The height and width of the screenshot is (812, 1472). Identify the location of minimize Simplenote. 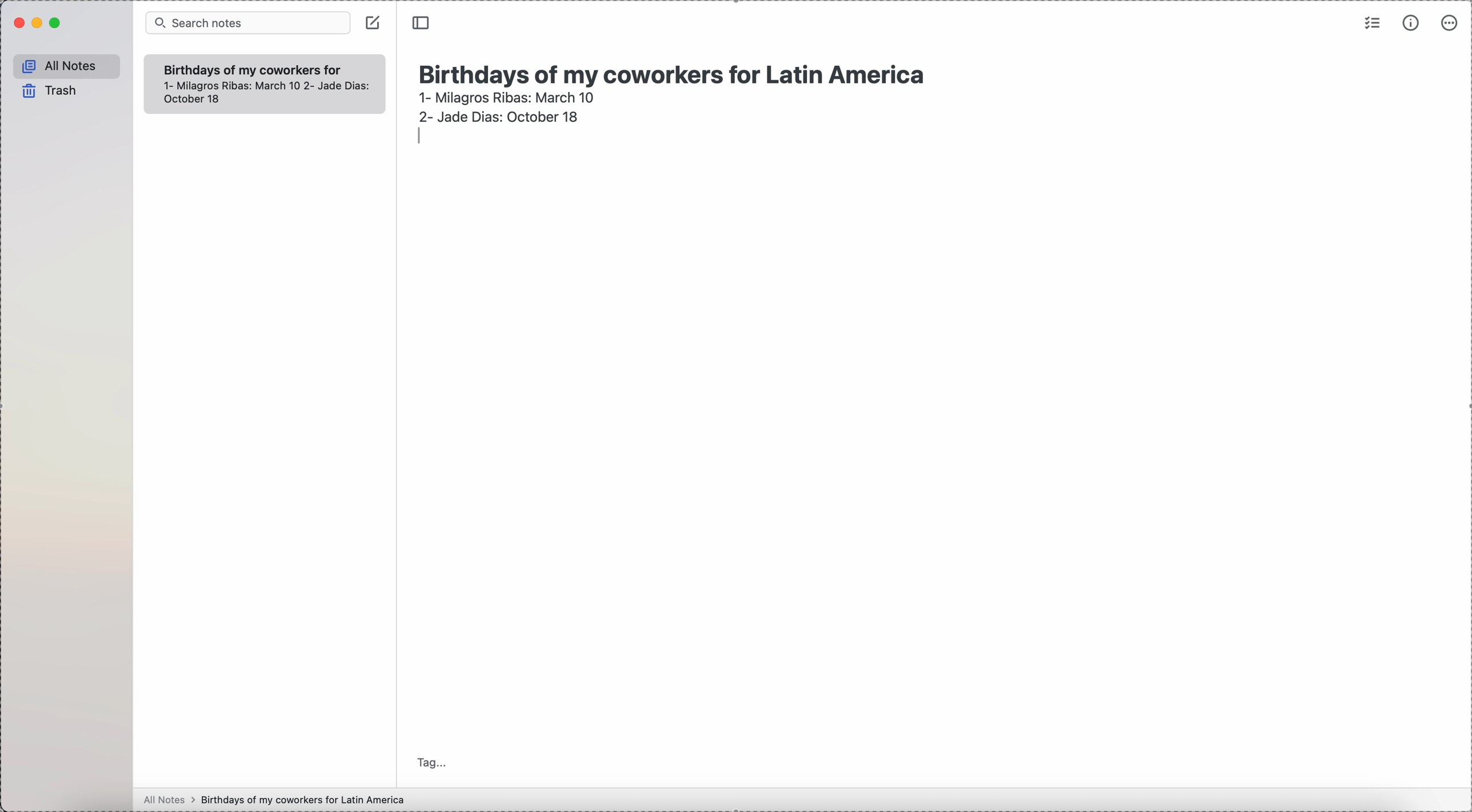
(39, 24).